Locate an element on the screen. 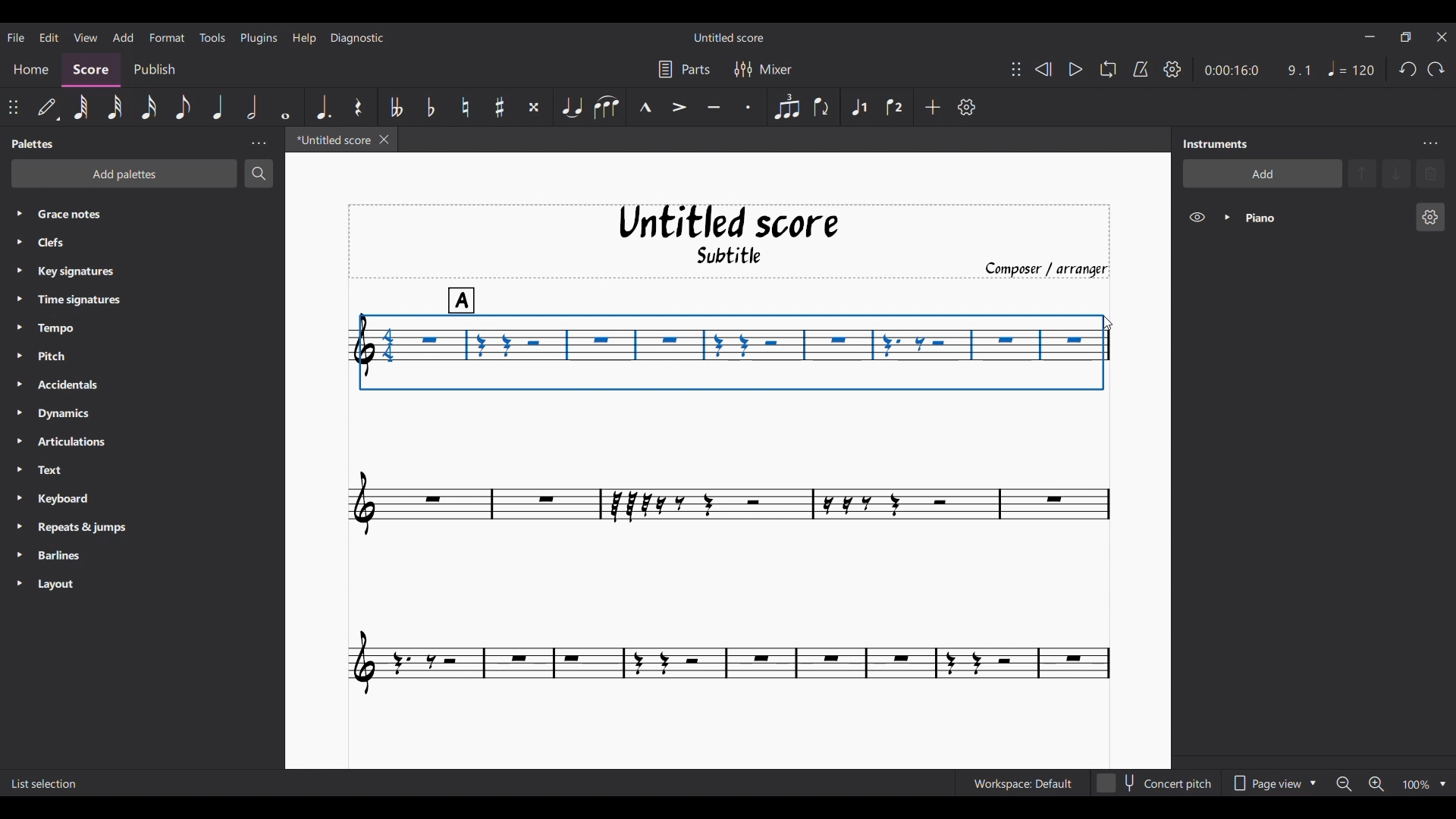  Playback settings is located at coordinates (1172, 68).